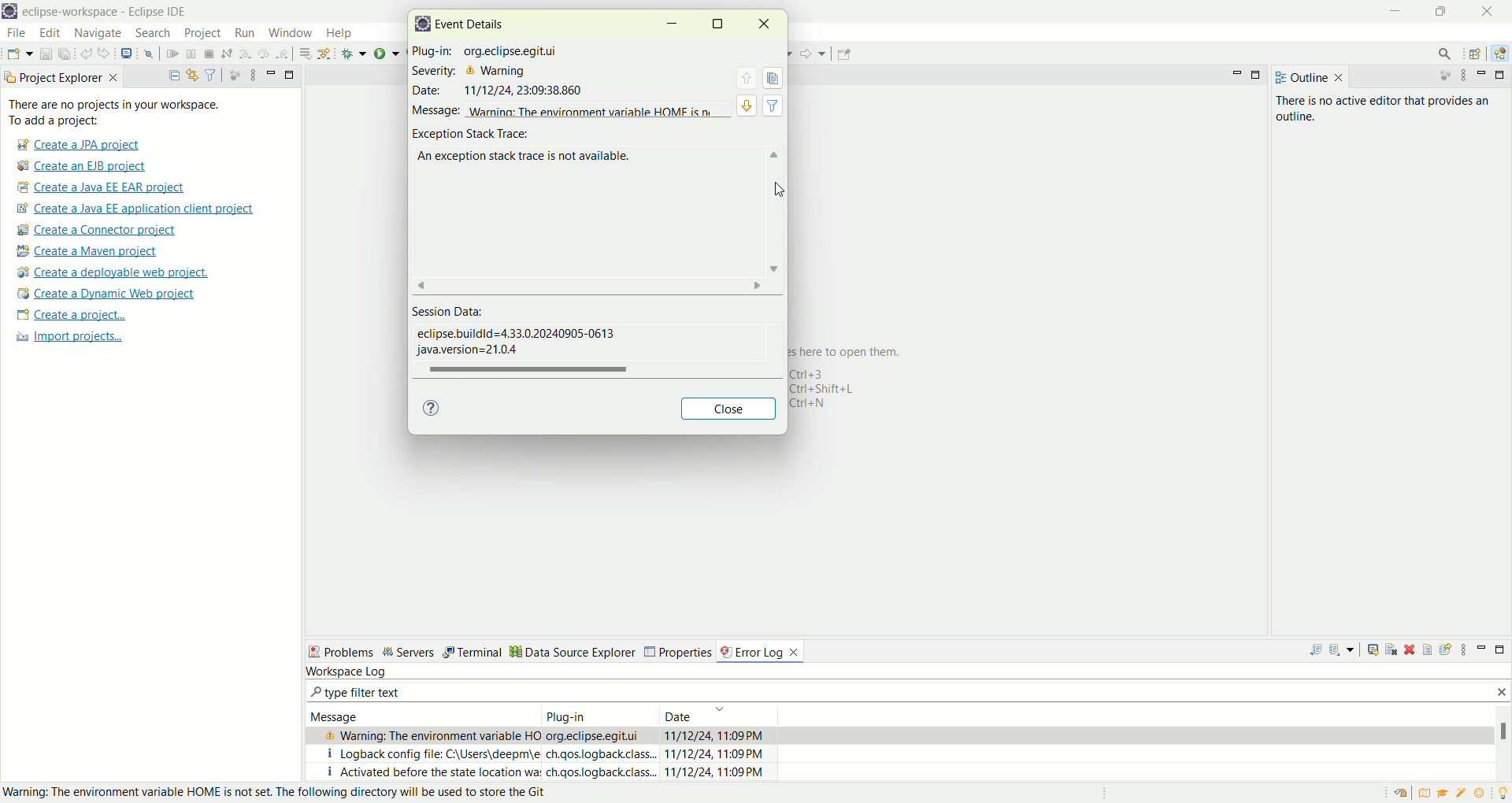 This screenshot has width=1512, height=803. Describe the element at coordinates (1447, 52) in the screenshot. I see `search` at that location.